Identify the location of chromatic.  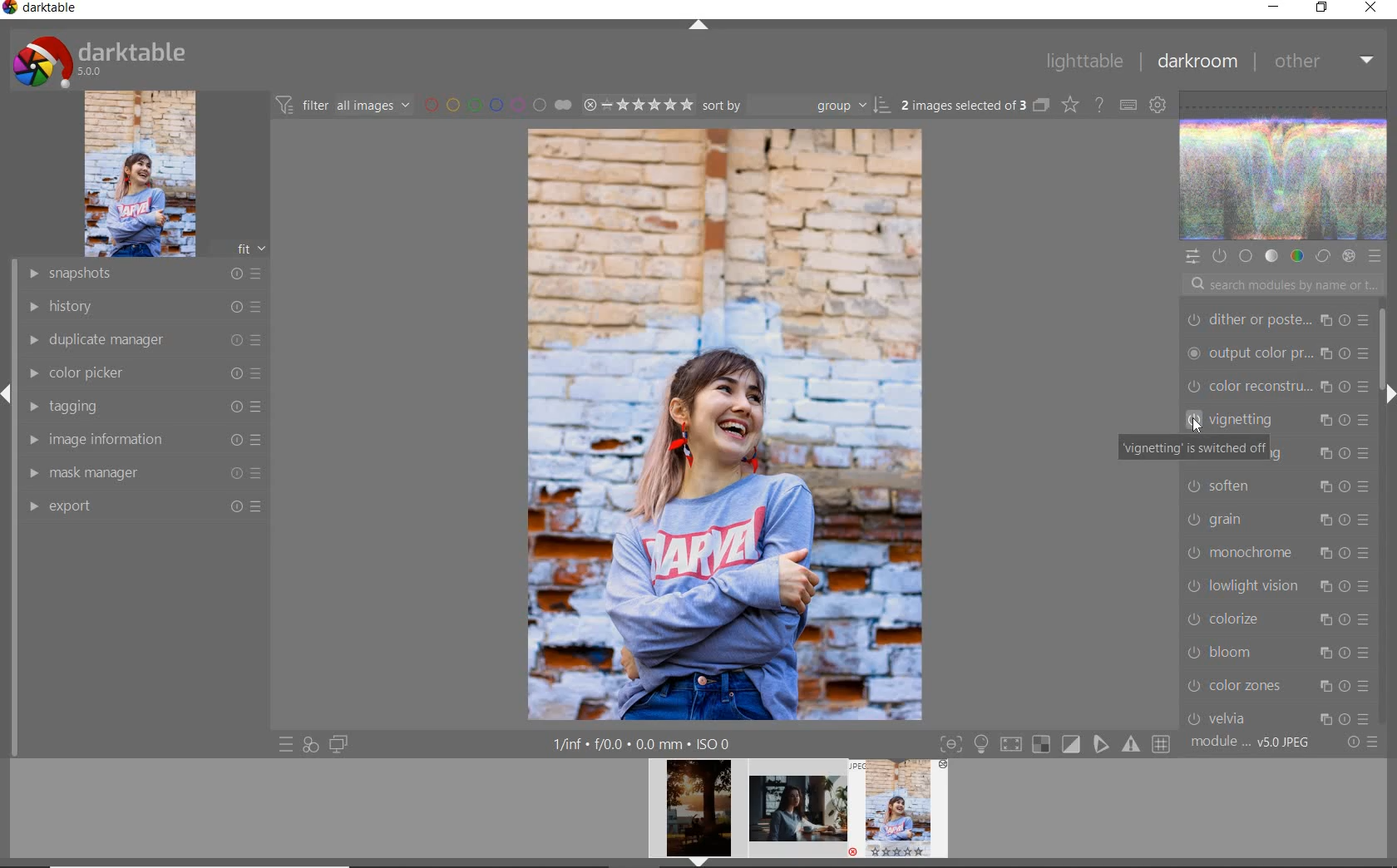
(1277, 682).